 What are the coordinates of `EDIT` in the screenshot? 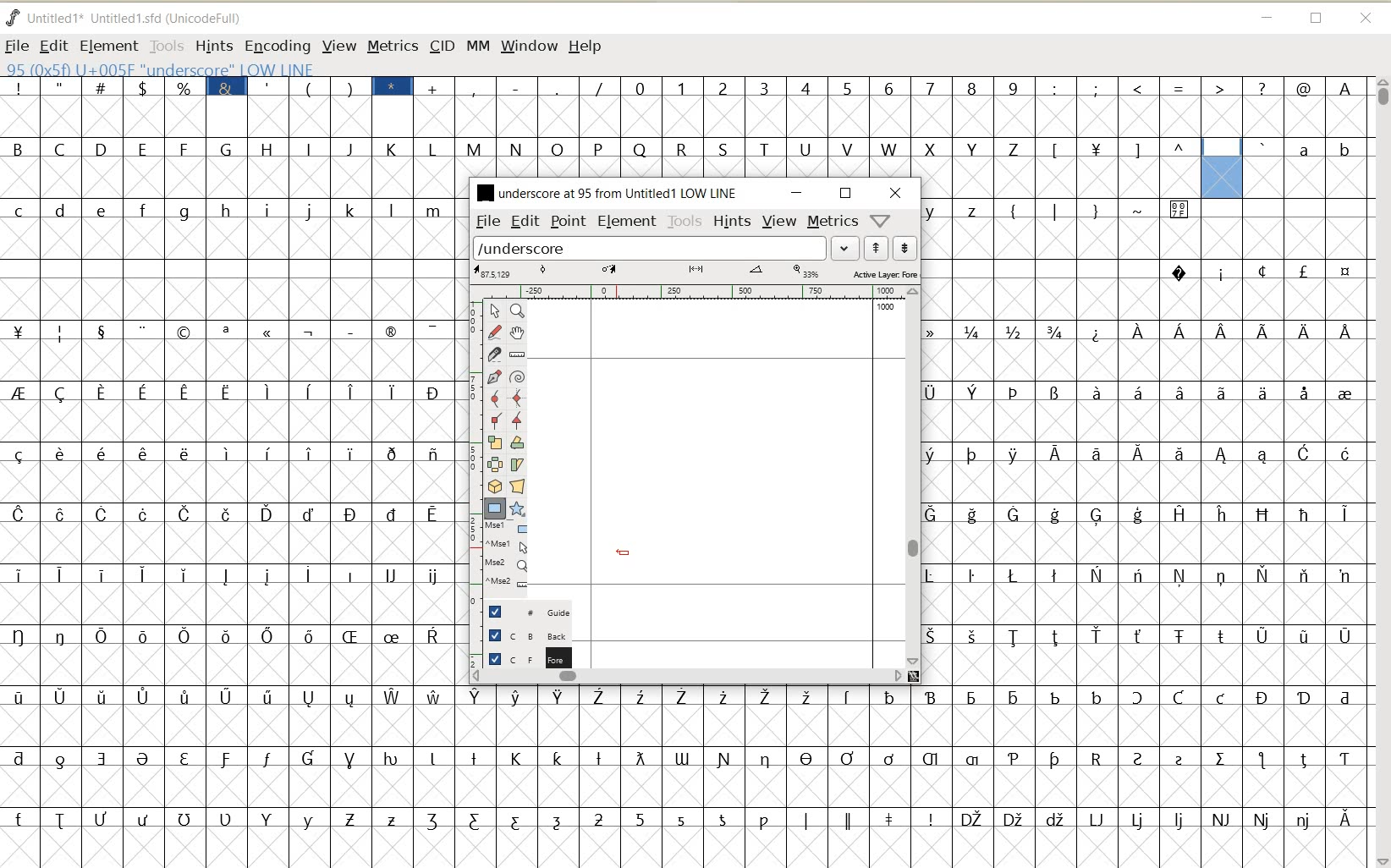 It's located at (52, 47).